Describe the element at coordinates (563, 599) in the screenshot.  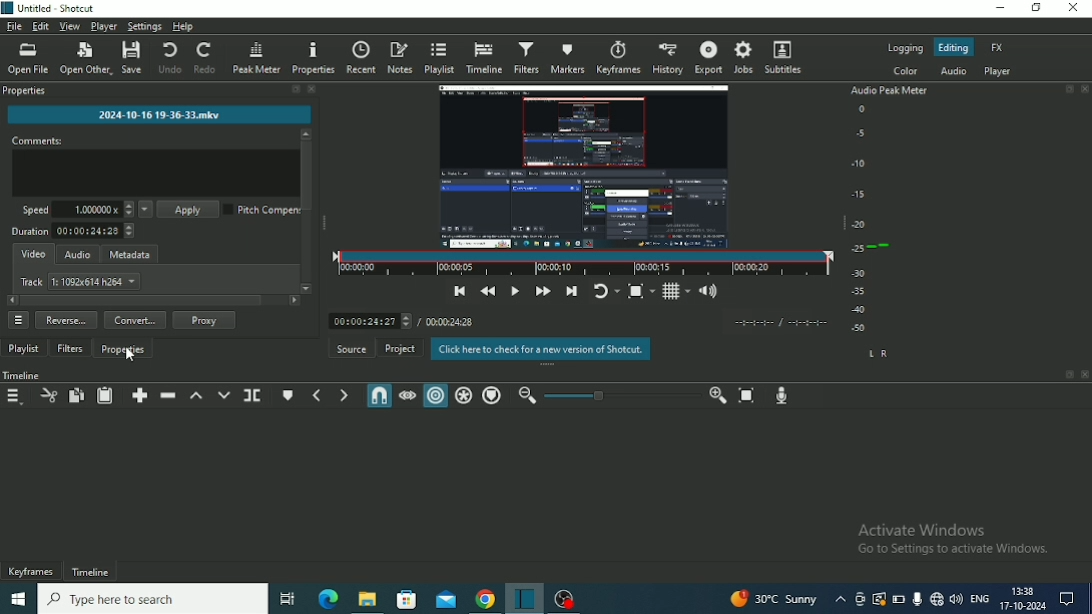
I see `OBS Studio` at that location.